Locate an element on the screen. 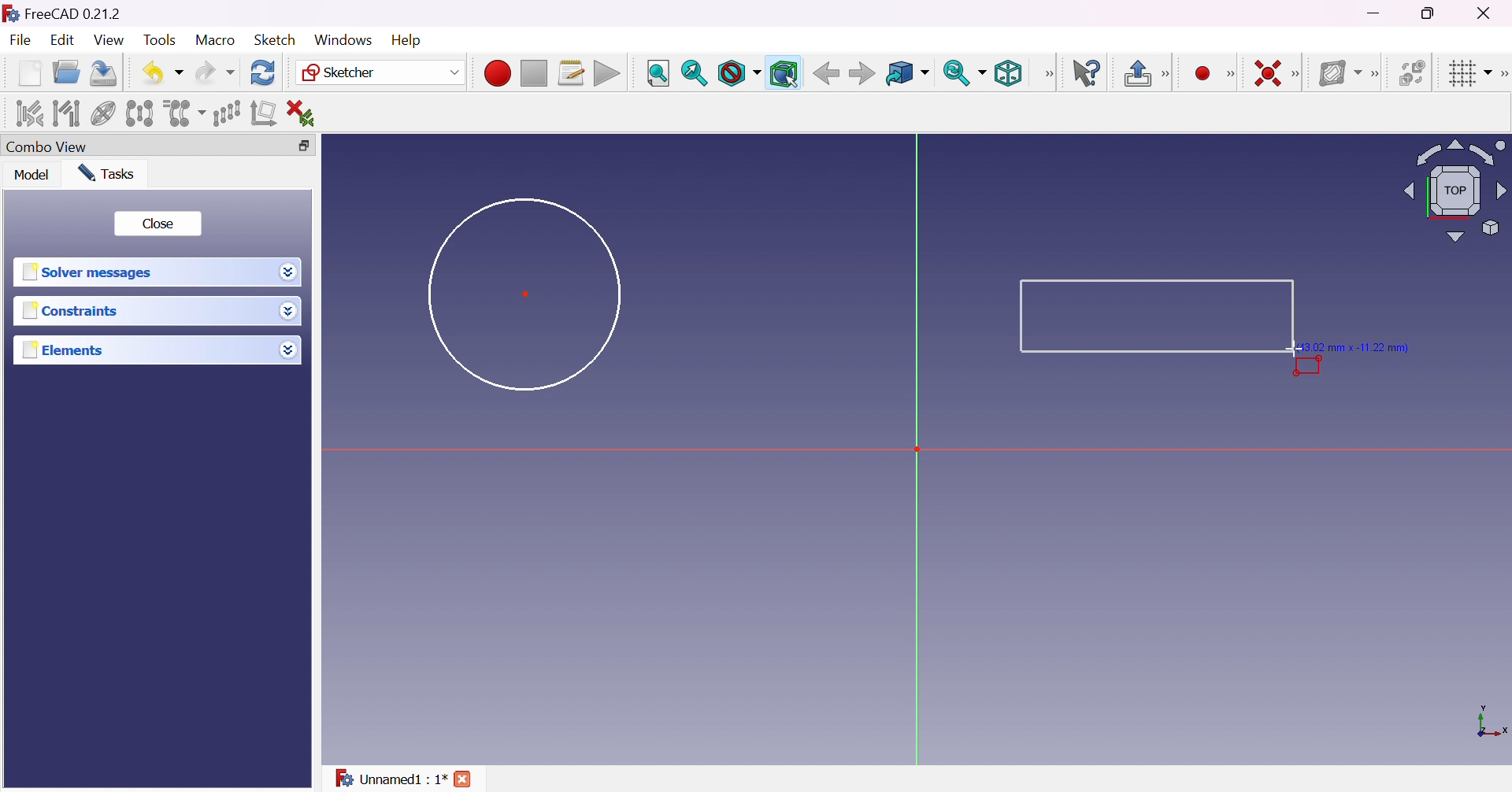  View is located at coordinates (110, 41).